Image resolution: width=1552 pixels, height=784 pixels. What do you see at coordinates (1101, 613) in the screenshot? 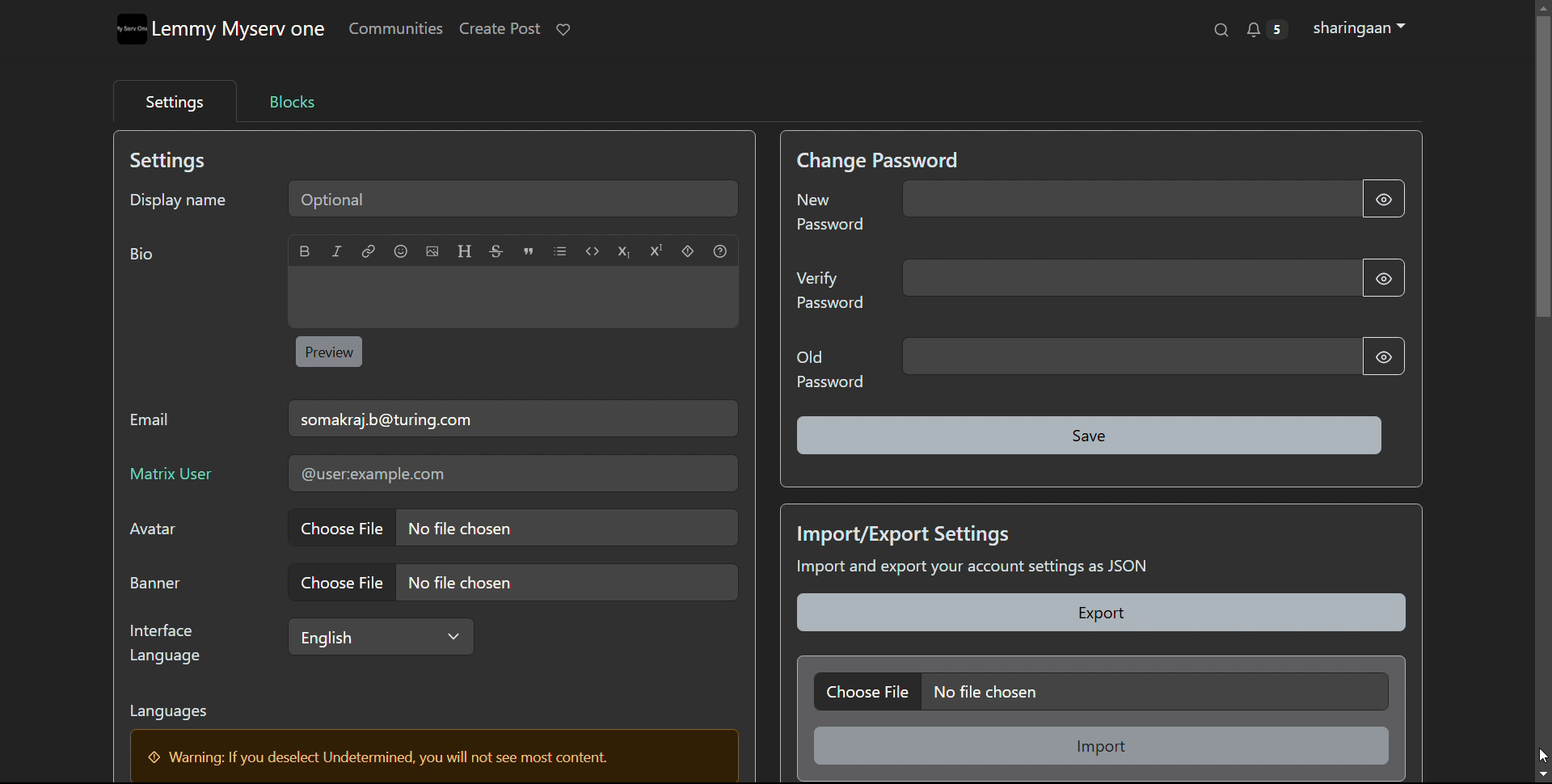
I see `export` at bounding box center [1101, 613].